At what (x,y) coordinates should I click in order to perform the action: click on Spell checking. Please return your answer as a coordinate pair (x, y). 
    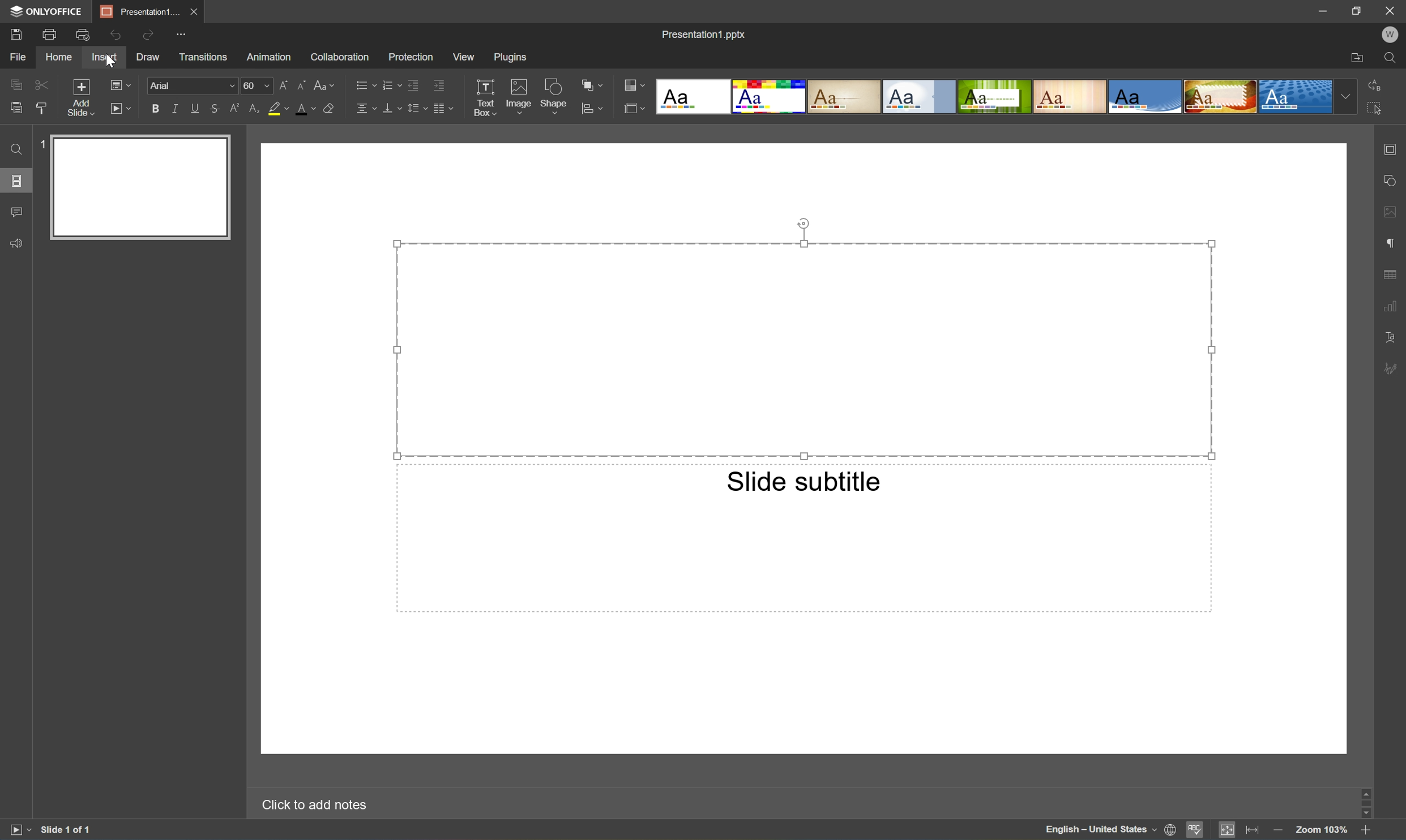
    Looking at the image, I should click on (1198, 830).